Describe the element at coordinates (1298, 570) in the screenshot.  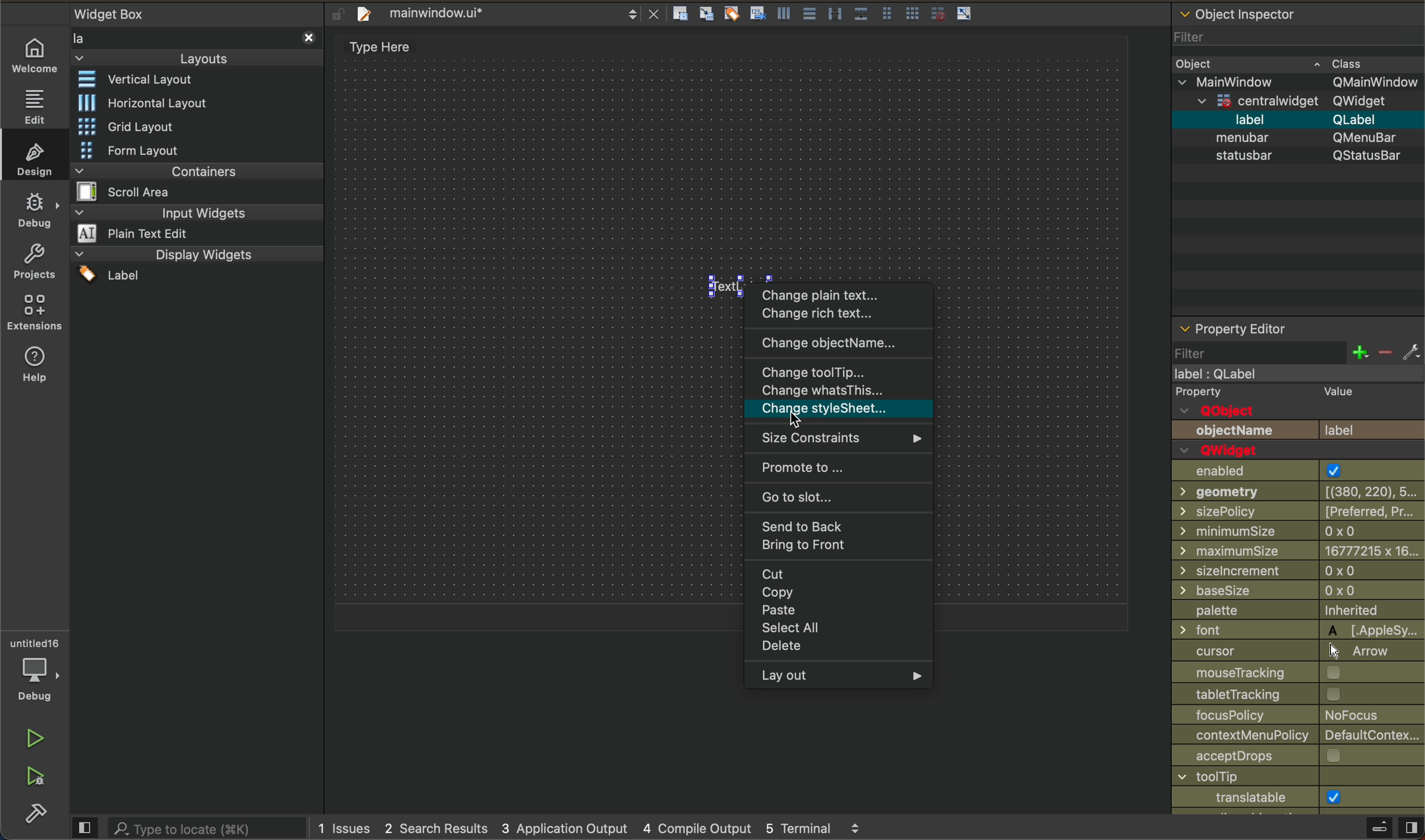
I see `size increment ` at that location.